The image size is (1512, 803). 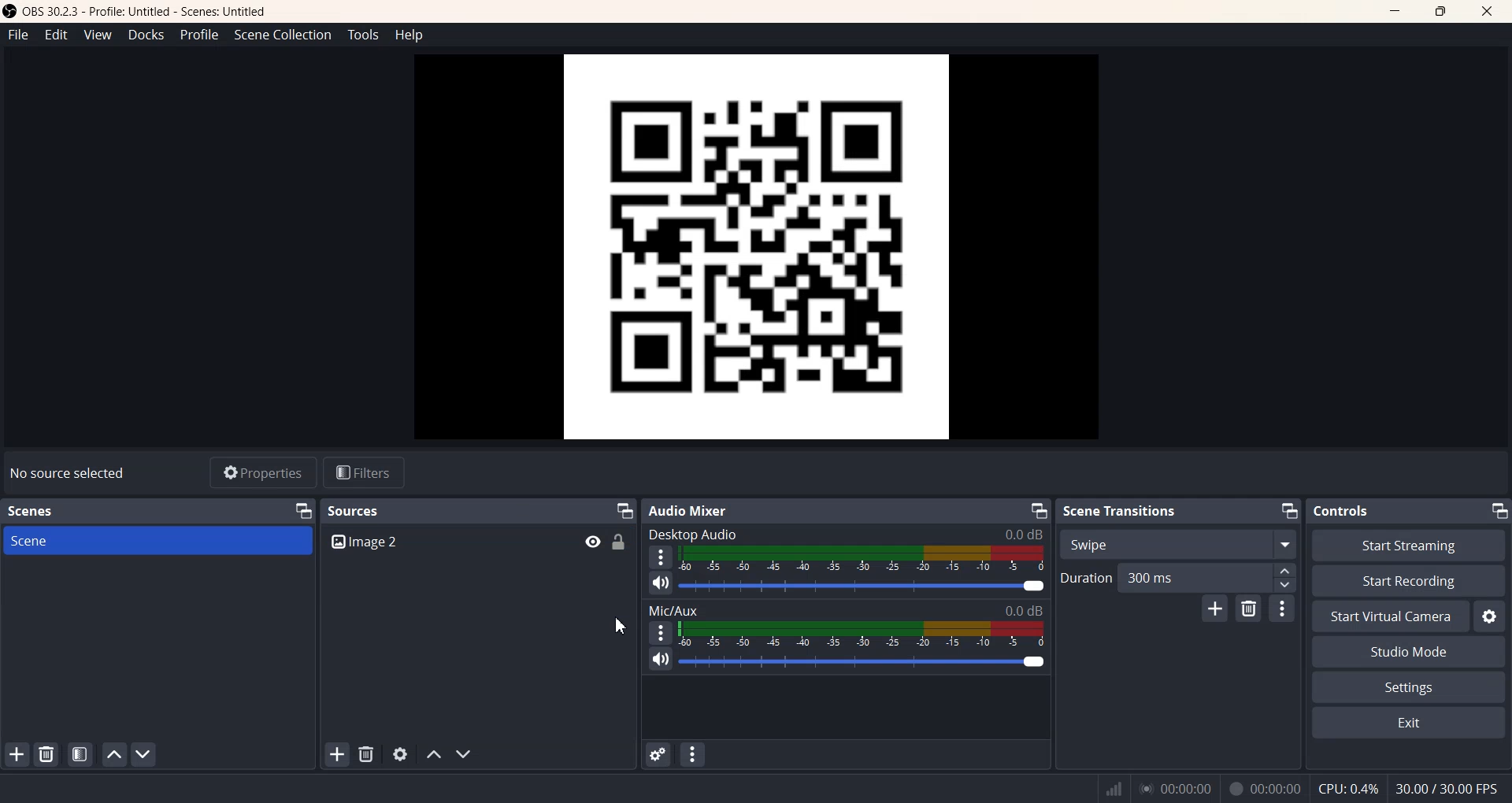 What do you see at coordinates (156, 540) in the screenshot?
I see `Scene` at bounding box center [156, 540].